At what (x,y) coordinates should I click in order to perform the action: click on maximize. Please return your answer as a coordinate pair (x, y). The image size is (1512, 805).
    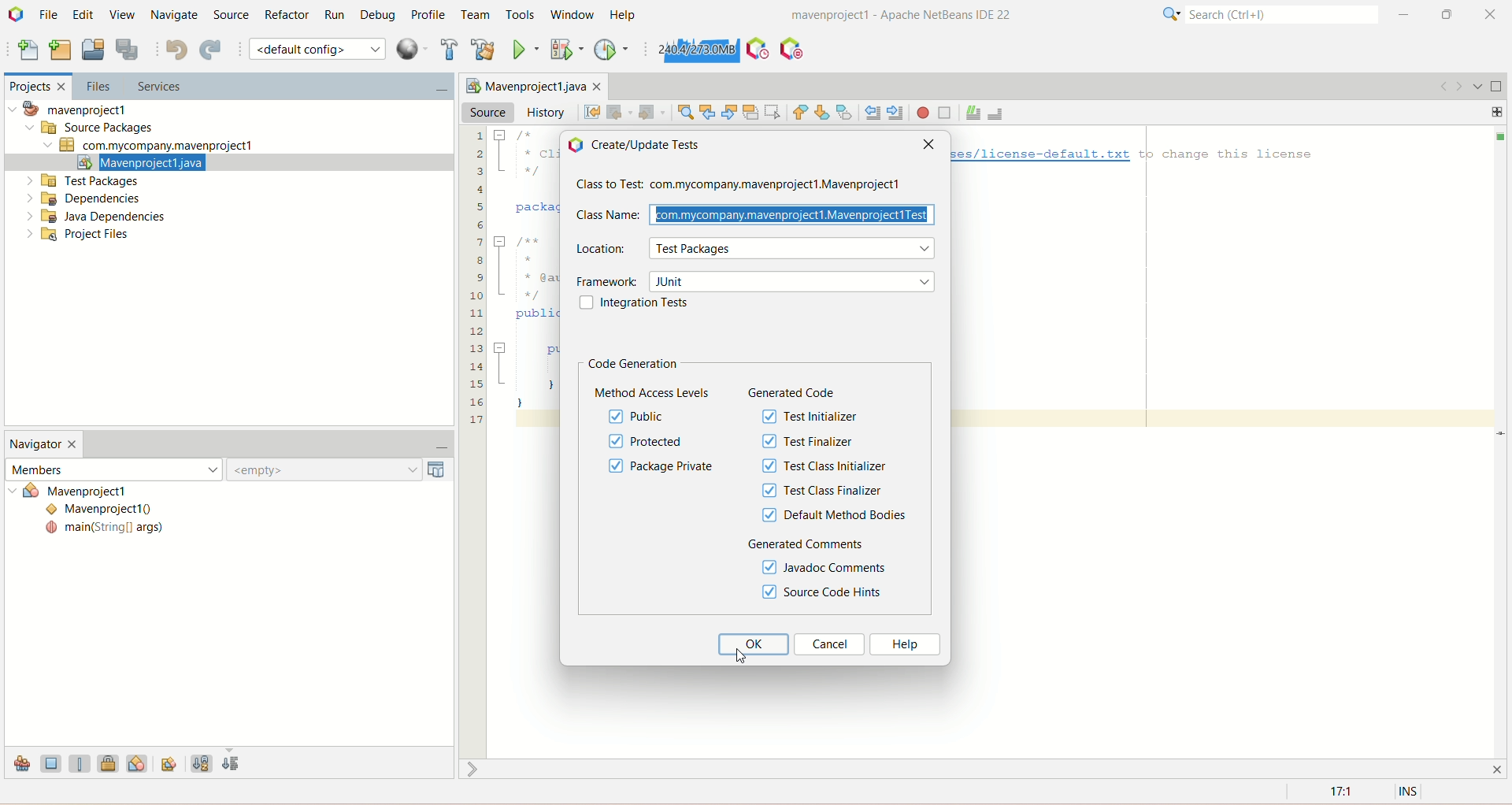
    Looking at the image, I should click on (1497, 87).